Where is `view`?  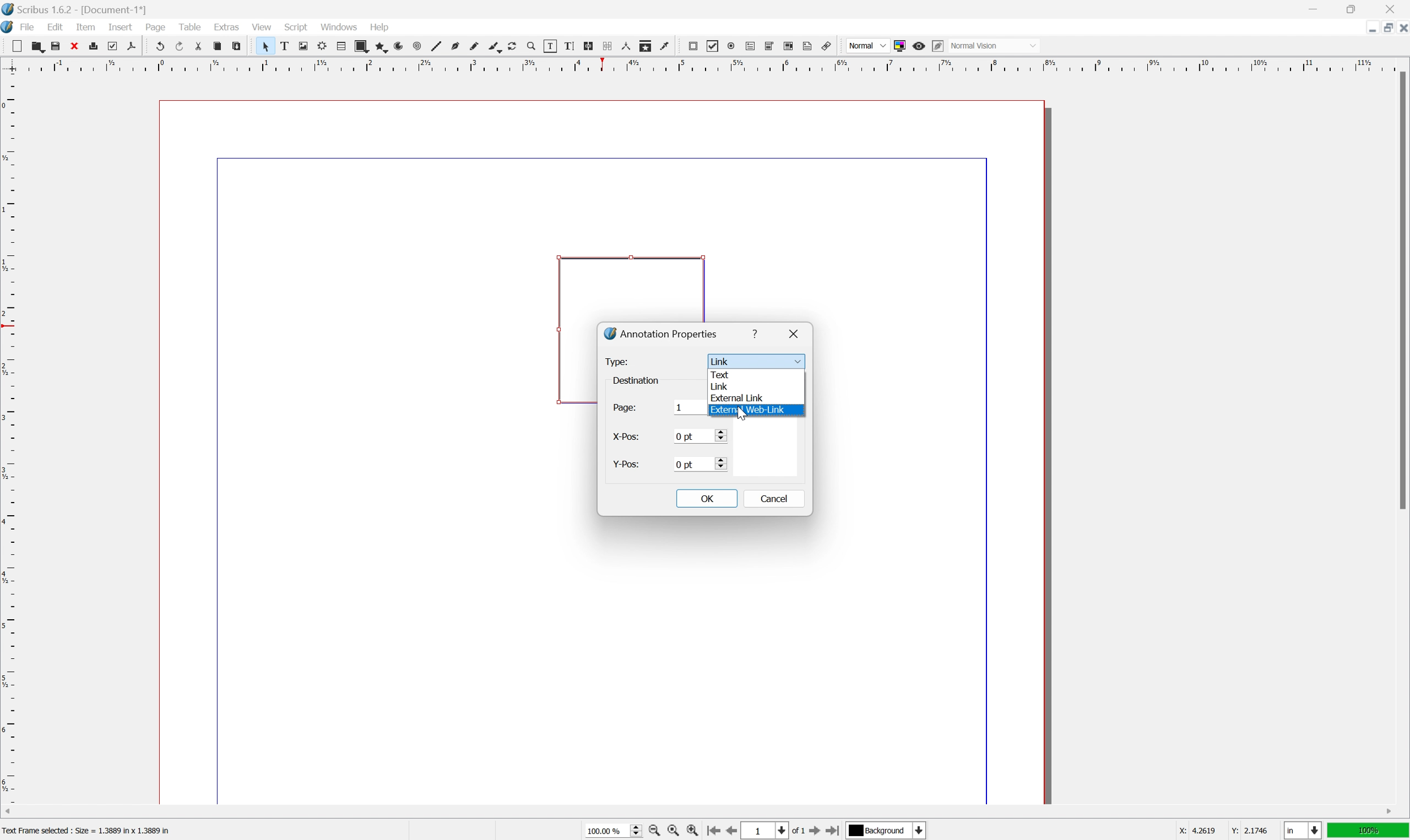
view is located at coordinates (260, 26).